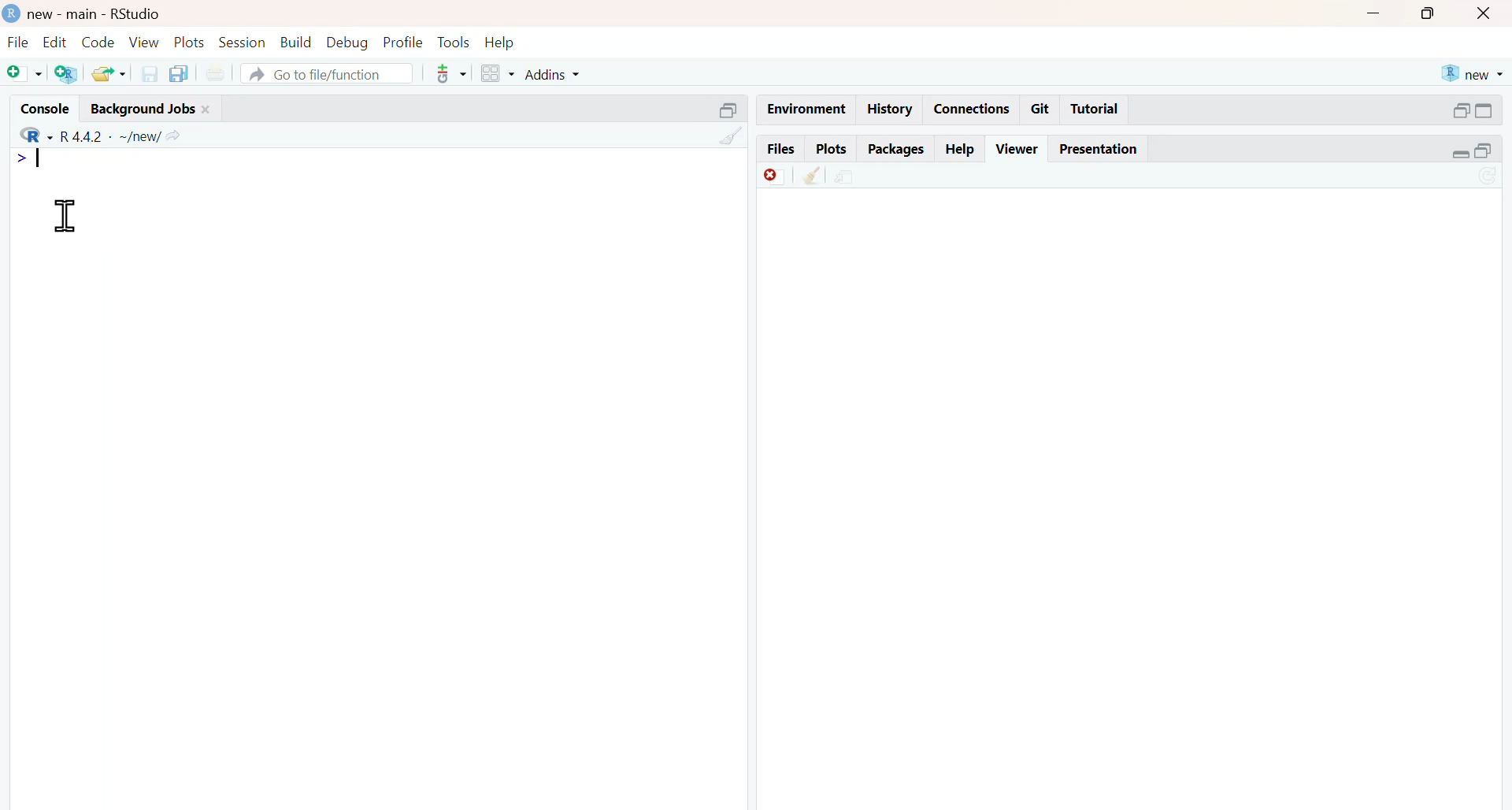  What do you see at coordinates (144, 43) in the screenshot?
I see `view` at bounding box center [144, 43].